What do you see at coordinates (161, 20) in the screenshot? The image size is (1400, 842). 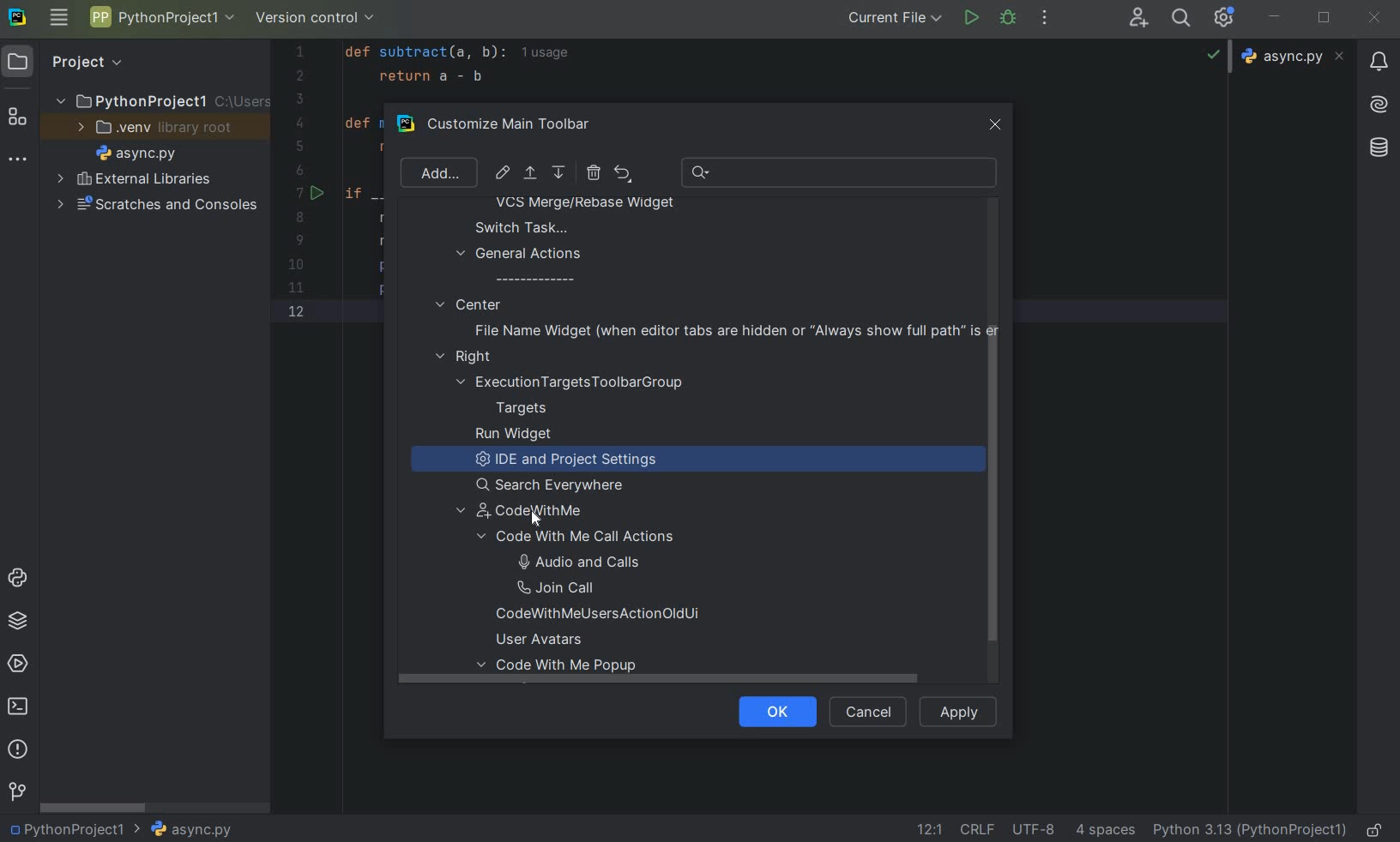 I see `PROJECT NAME` at bounding box center [161, 20].